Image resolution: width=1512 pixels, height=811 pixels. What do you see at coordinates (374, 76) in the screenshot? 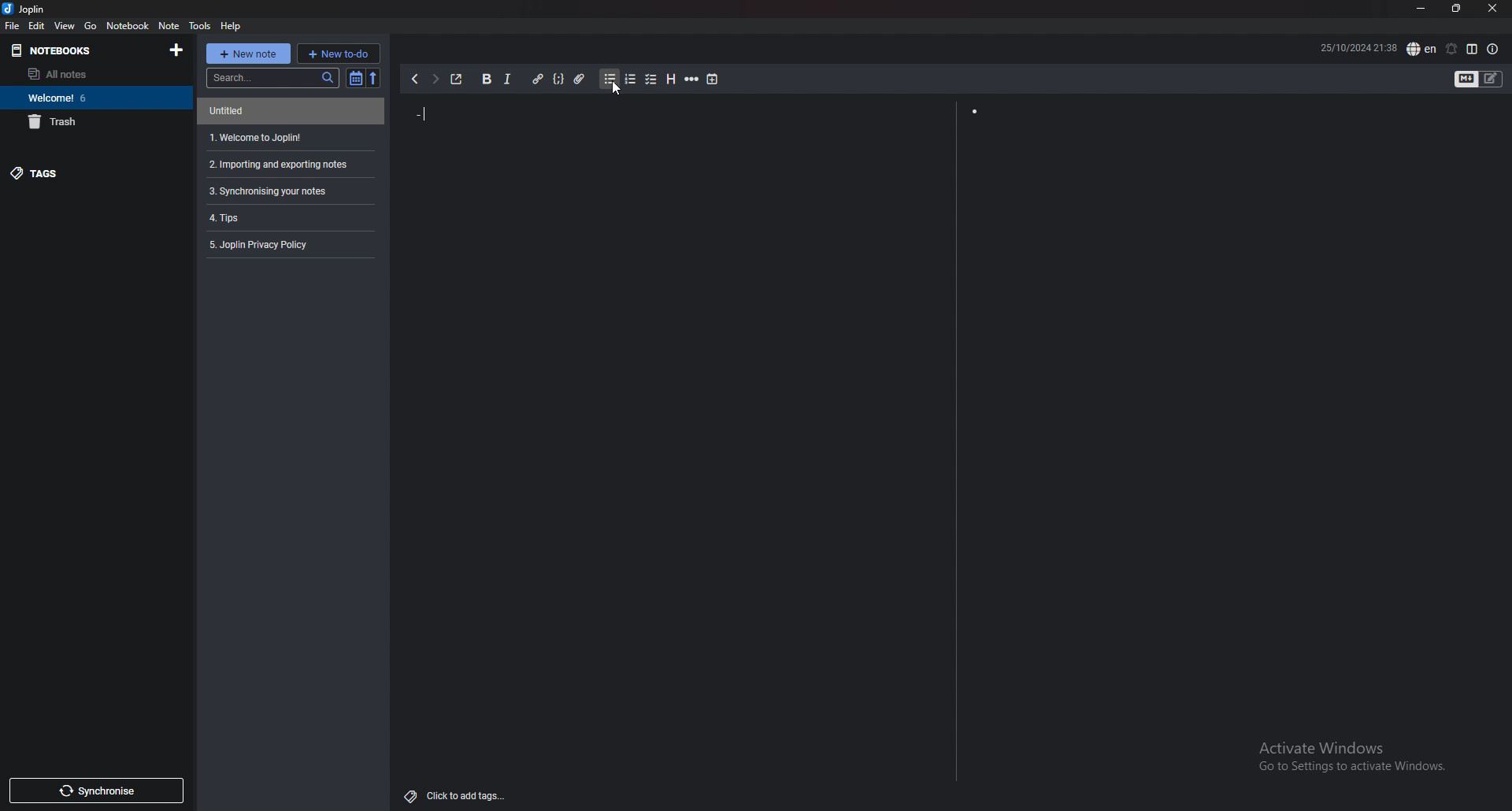
I see `reverse sort order` at bounding box center [374, 76].